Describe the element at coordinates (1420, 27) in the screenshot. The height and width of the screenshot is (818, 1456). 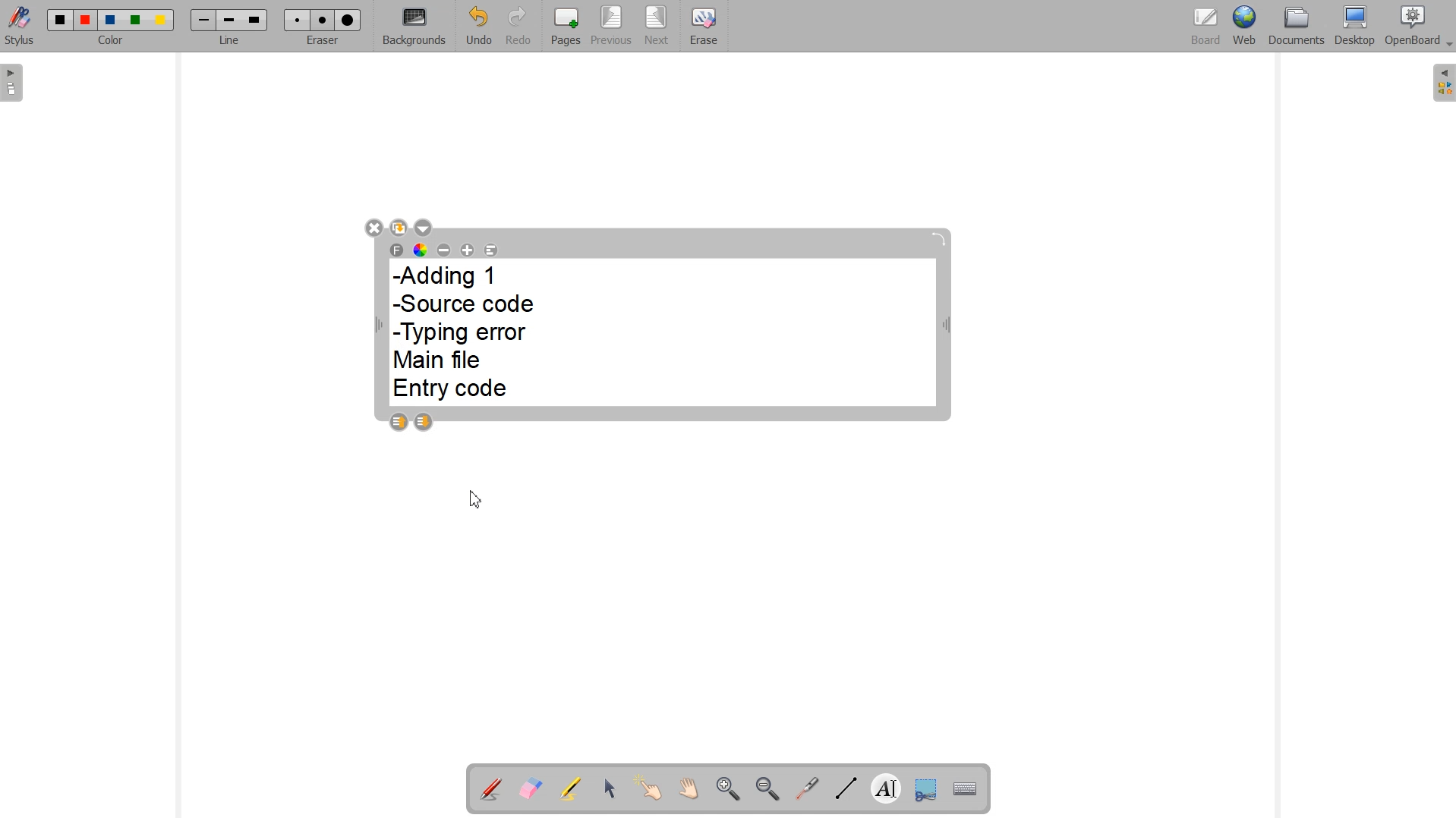
I see `OpenBoard` at that location.